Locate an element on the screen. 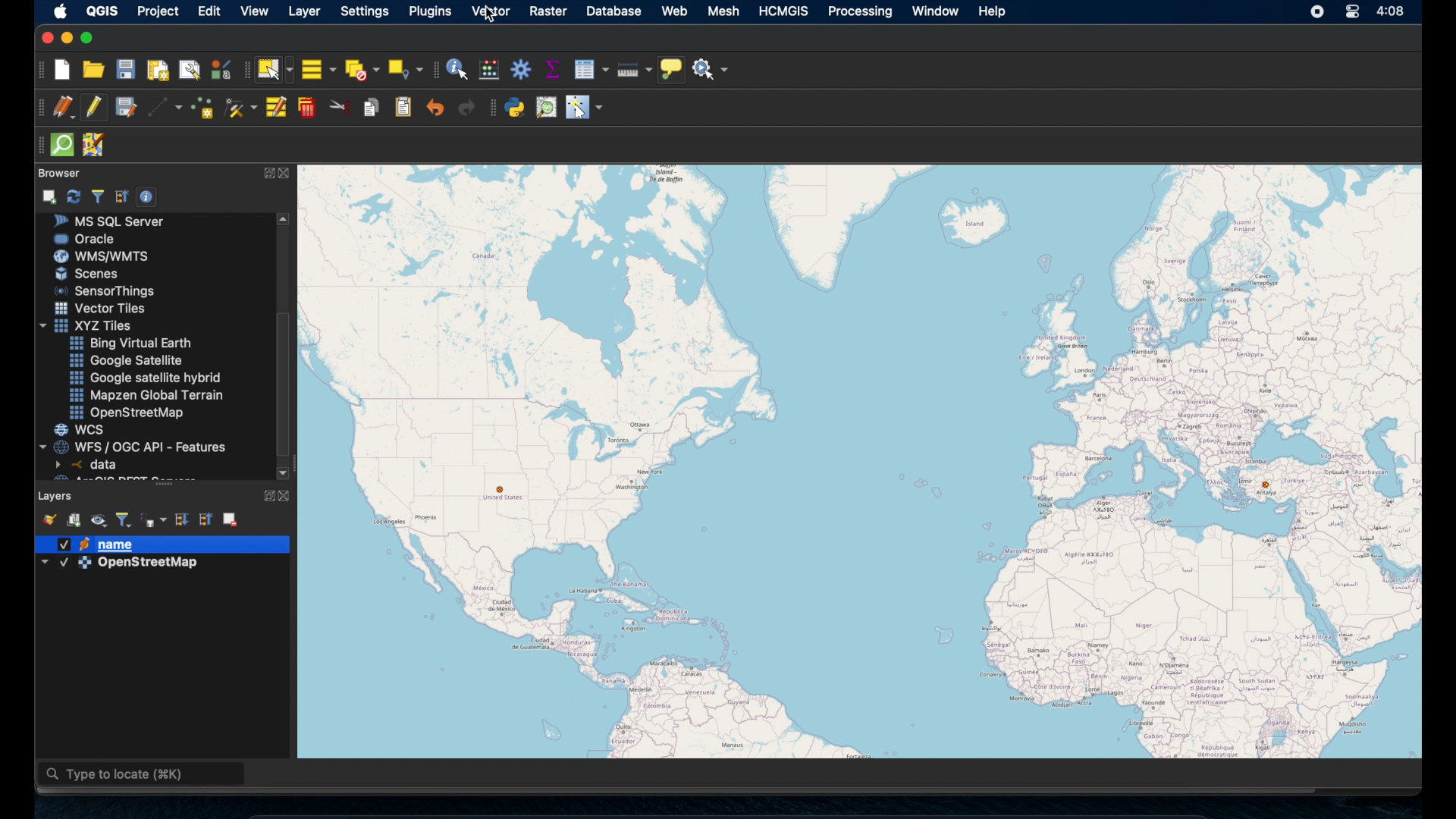  screen recorder icon is located at coordinates (1318, 13).